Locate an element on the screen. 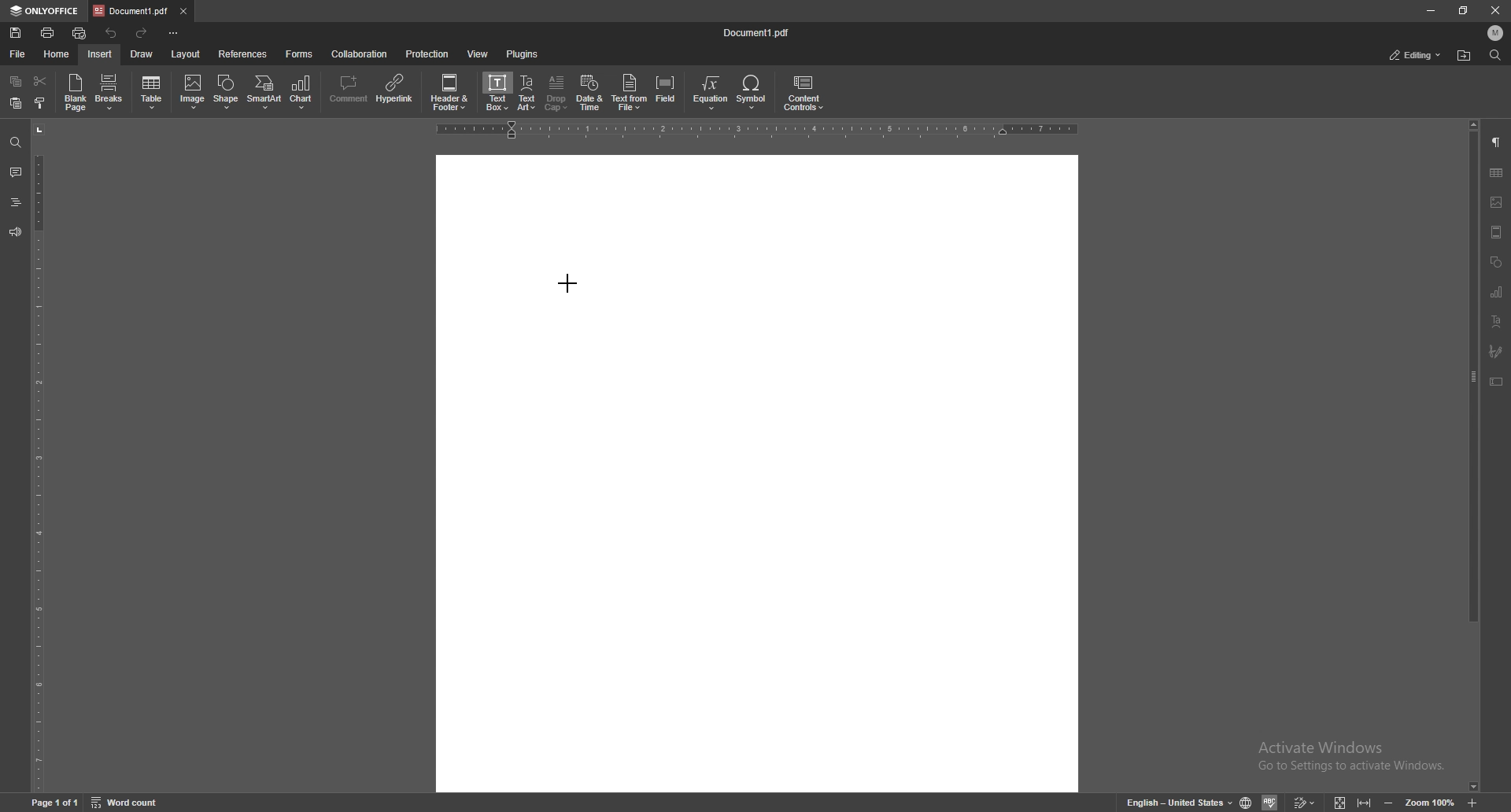 This screenshot has width=1511, height=812. colaboration is located at coordinates (360, 54).